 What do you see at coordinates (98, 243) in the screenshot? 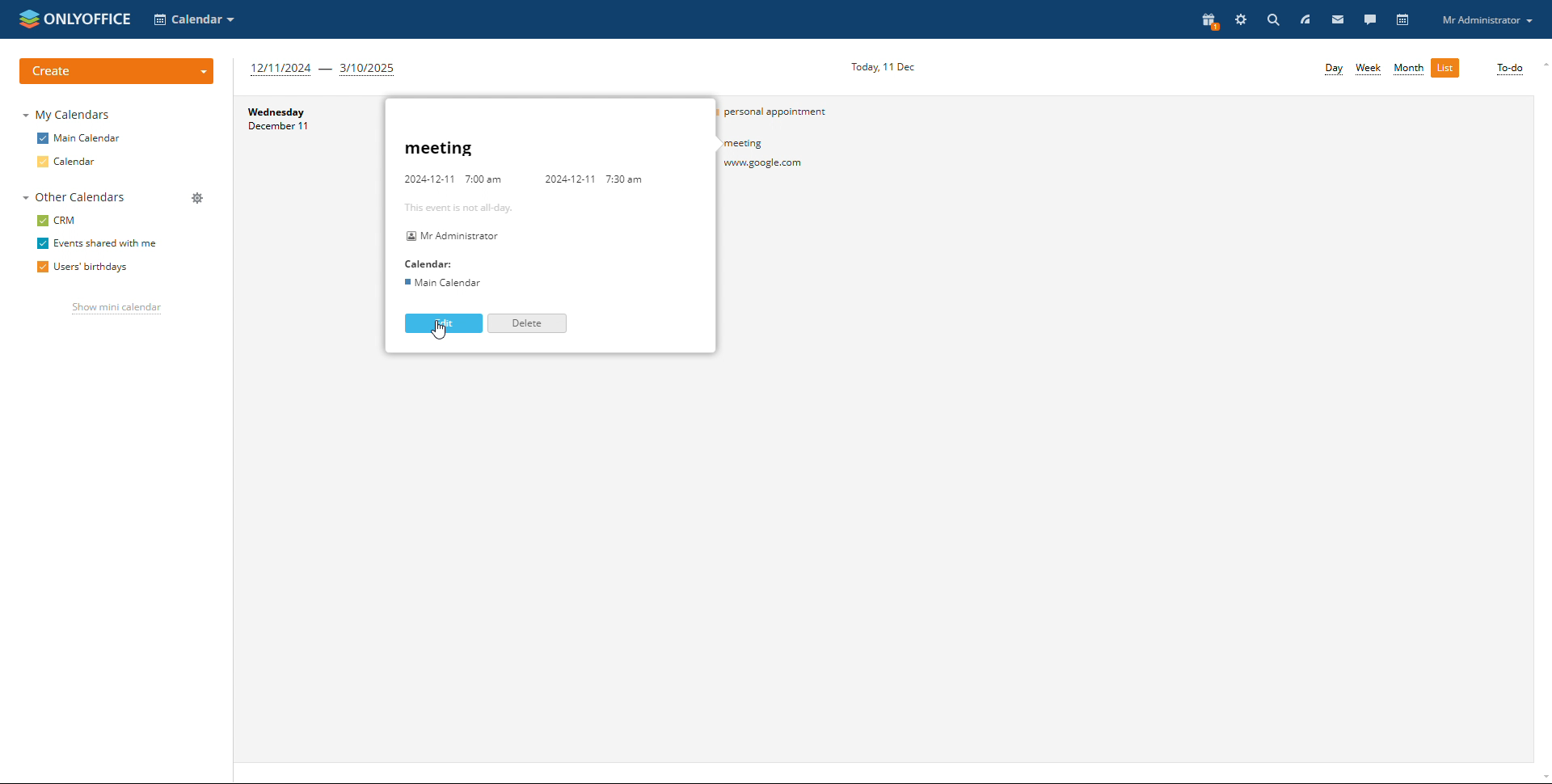
I see `events shared with me` at bounding box center [98, 243].